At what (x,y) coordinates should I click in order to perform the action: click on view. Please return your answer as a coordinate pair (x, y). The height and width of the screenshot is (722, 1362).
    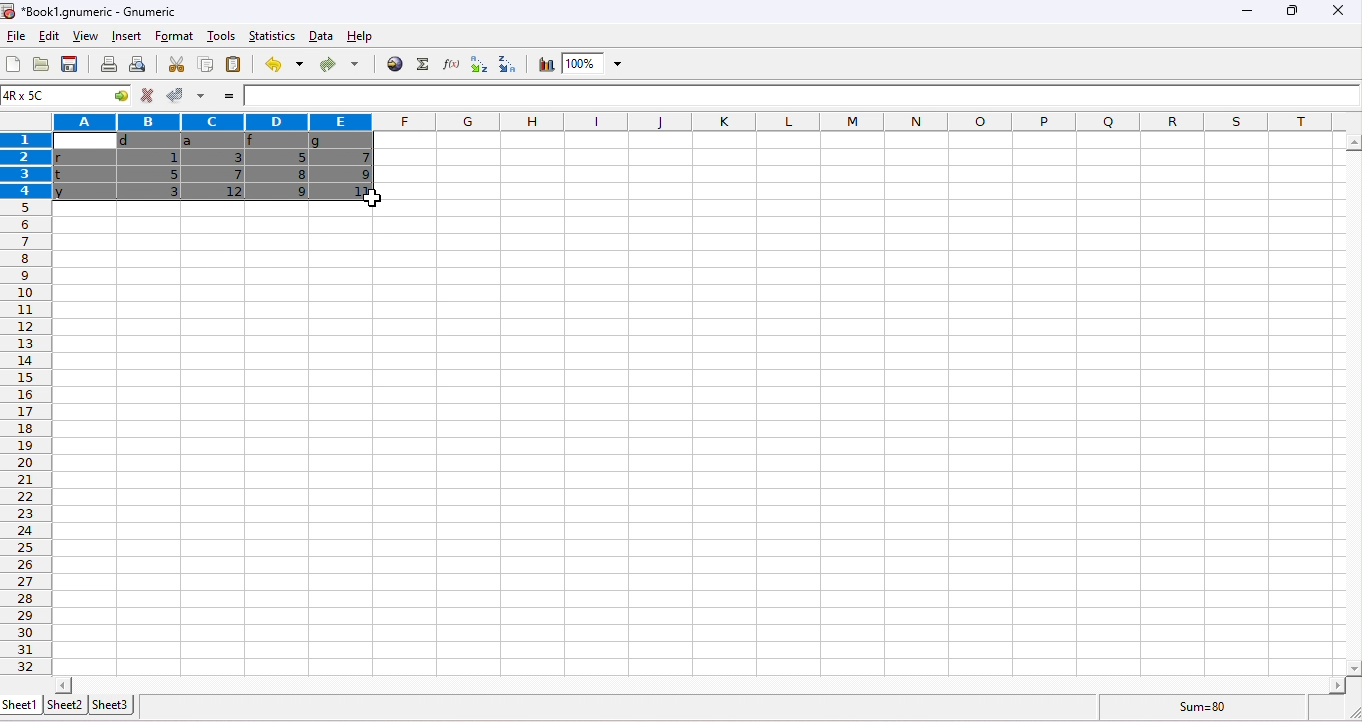
    Looking at the image, I should click on (85, 36).